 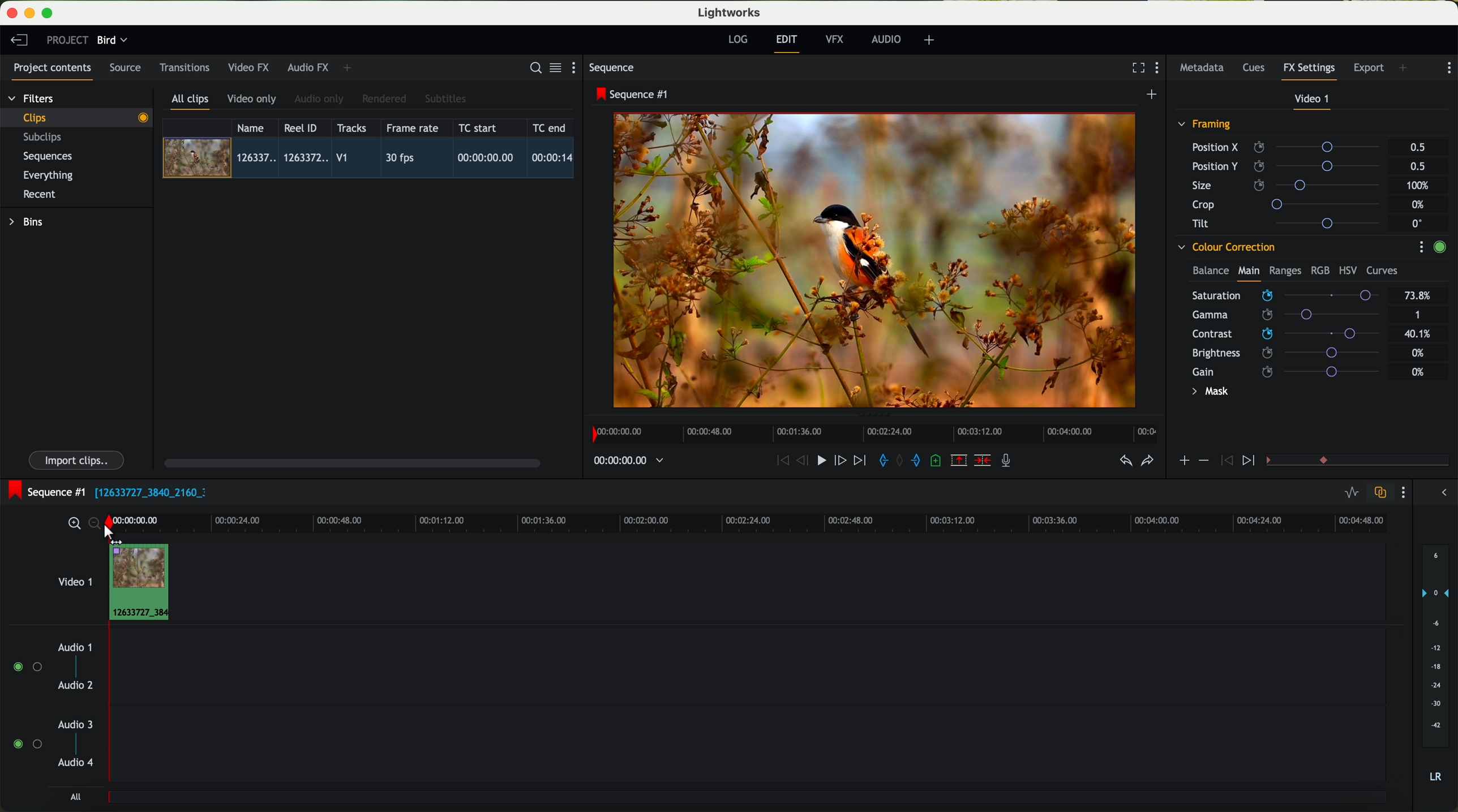 I want to click on Lightworks, so click(x=730, y=12).